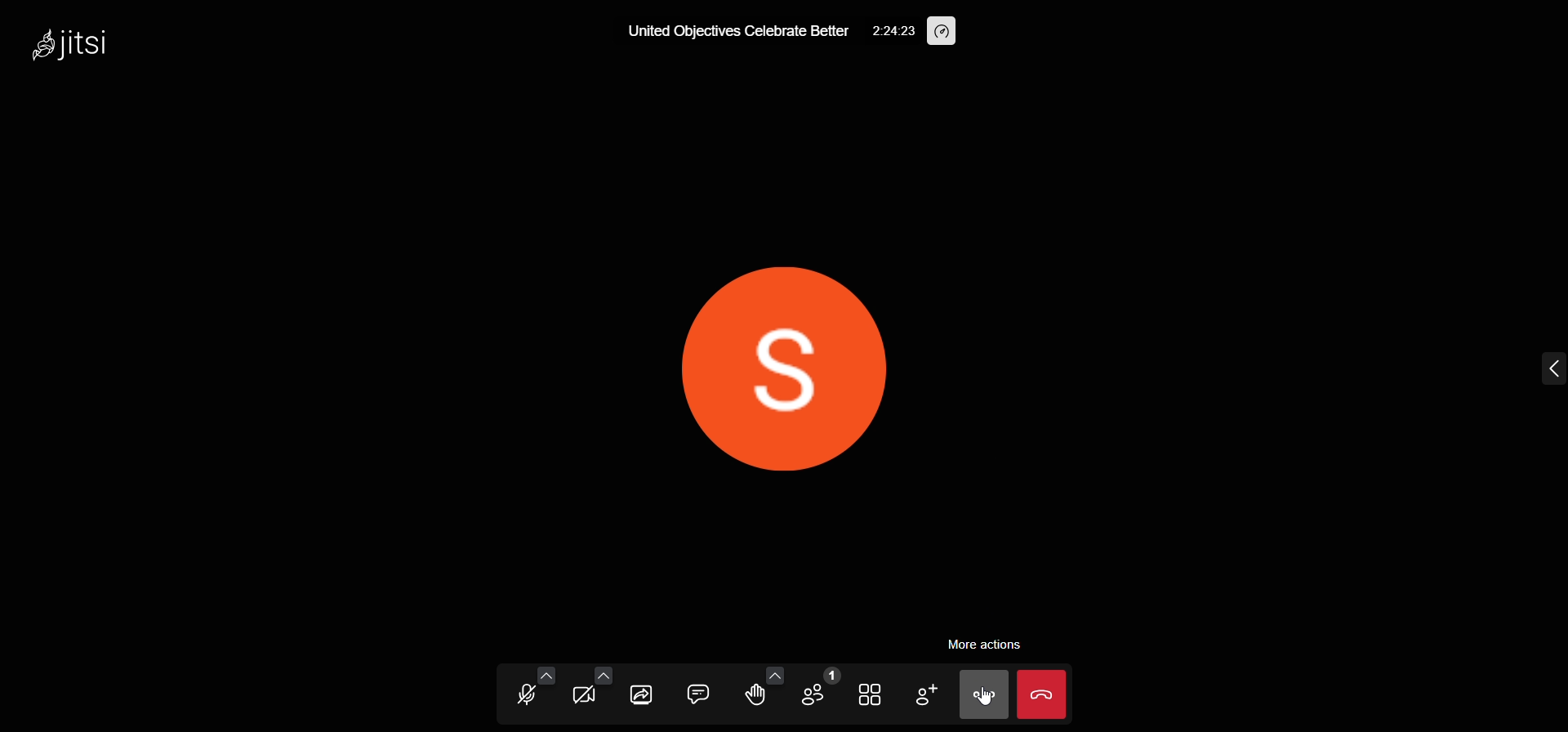  Describe the element at coordinates (1548, 368) in the screenshot. I see `expand` at that location.